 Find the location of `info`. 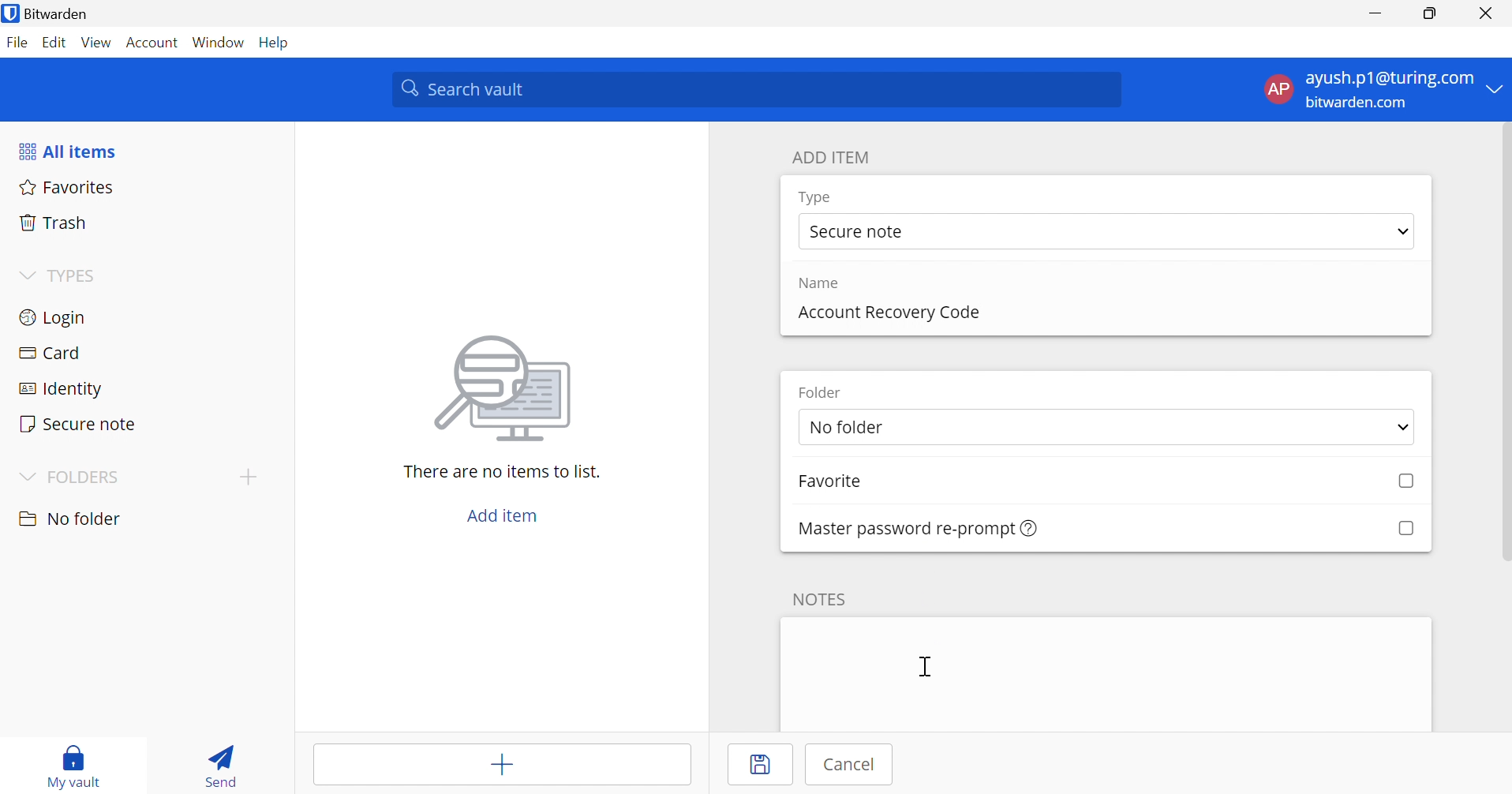

info is located at coordinates (1030, 529).